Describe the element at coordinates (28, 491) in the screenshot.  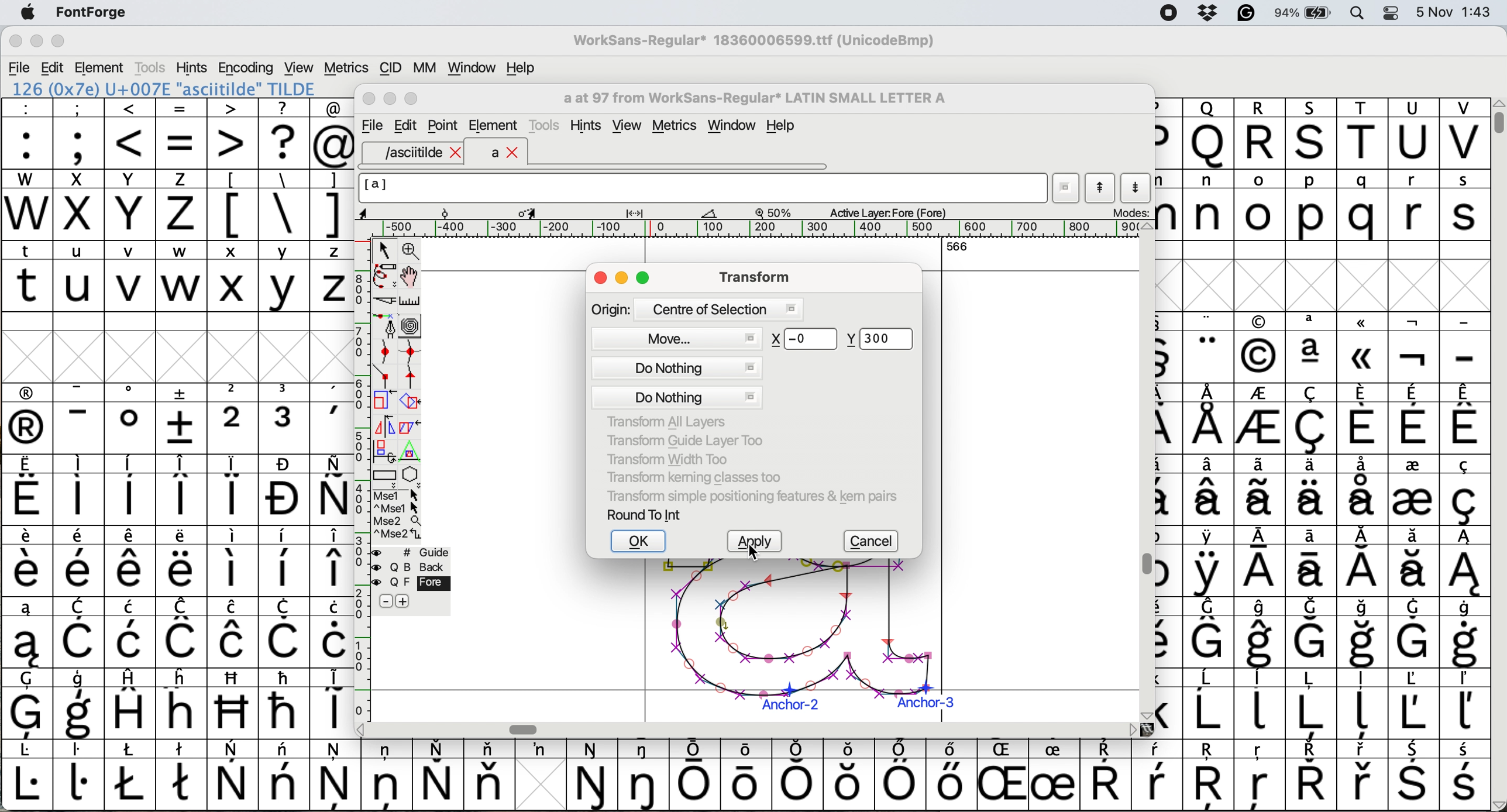
I see `symbol` at that location.